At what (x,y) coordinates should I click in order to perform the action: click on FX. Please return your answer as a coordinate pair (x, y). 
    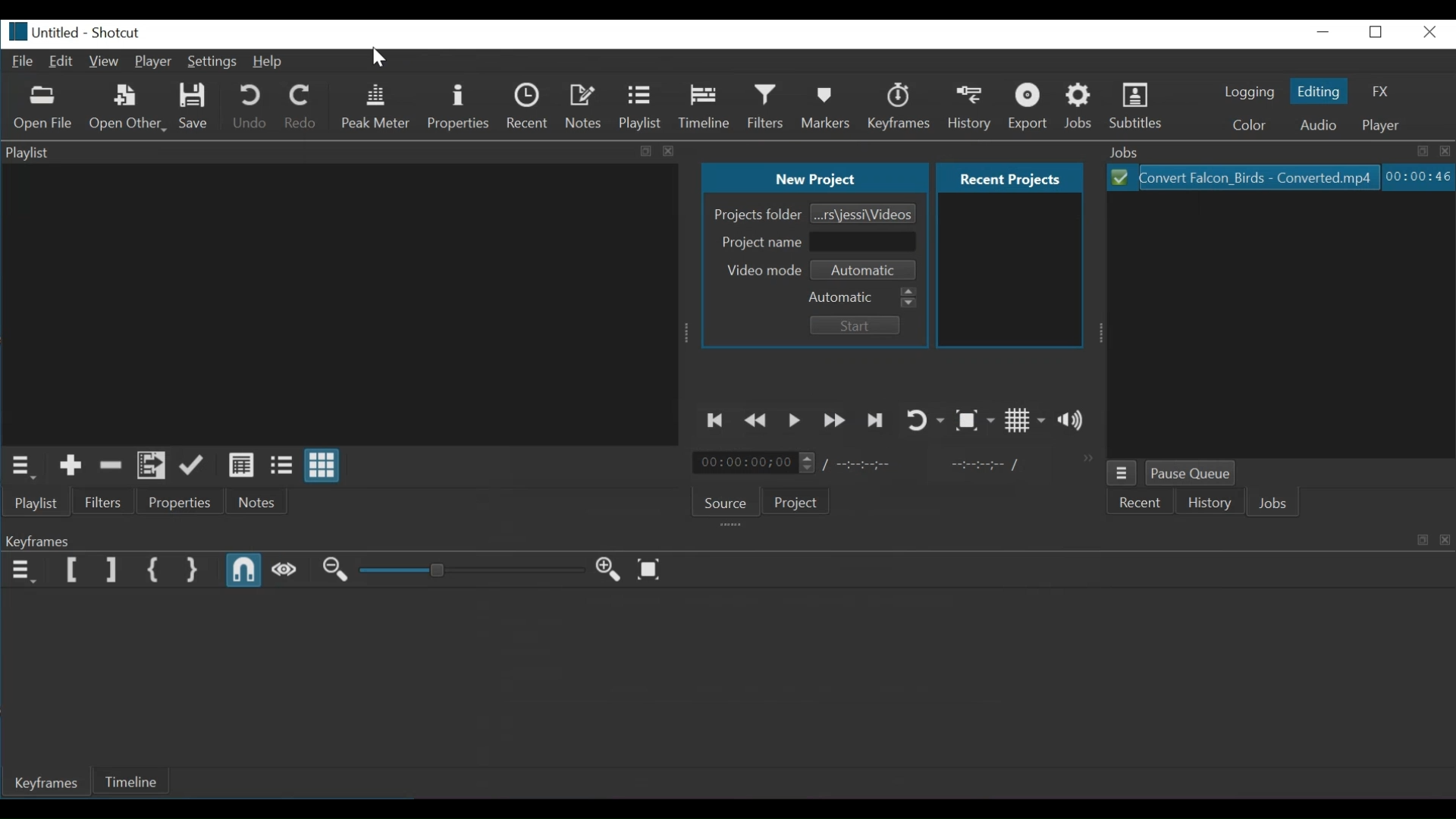
    Looking at the image, I should click on (1378, 91).